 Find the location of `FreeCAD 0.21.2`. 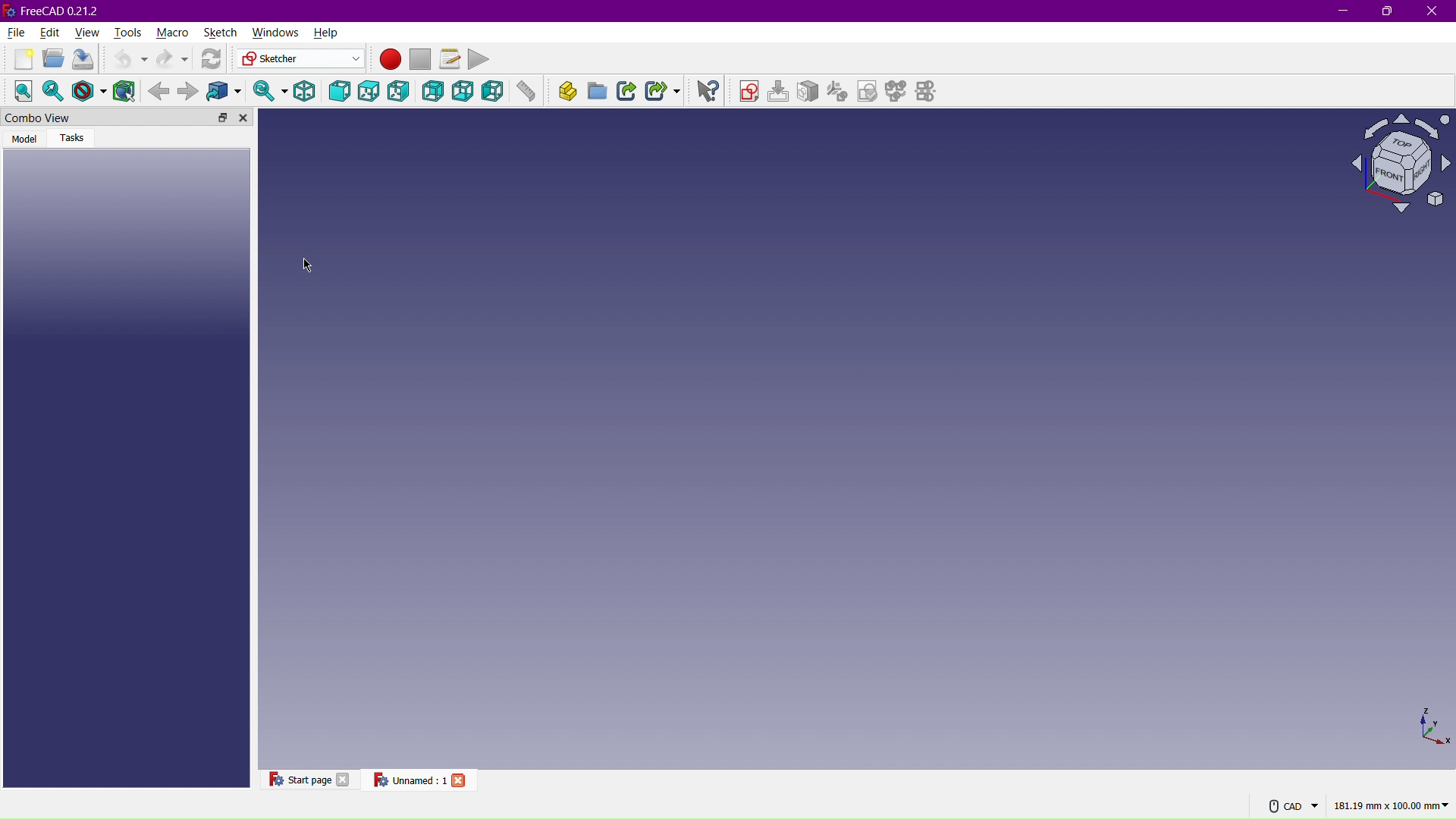

FreeCAD 0.21.2 is located at coordinates (55, 10).